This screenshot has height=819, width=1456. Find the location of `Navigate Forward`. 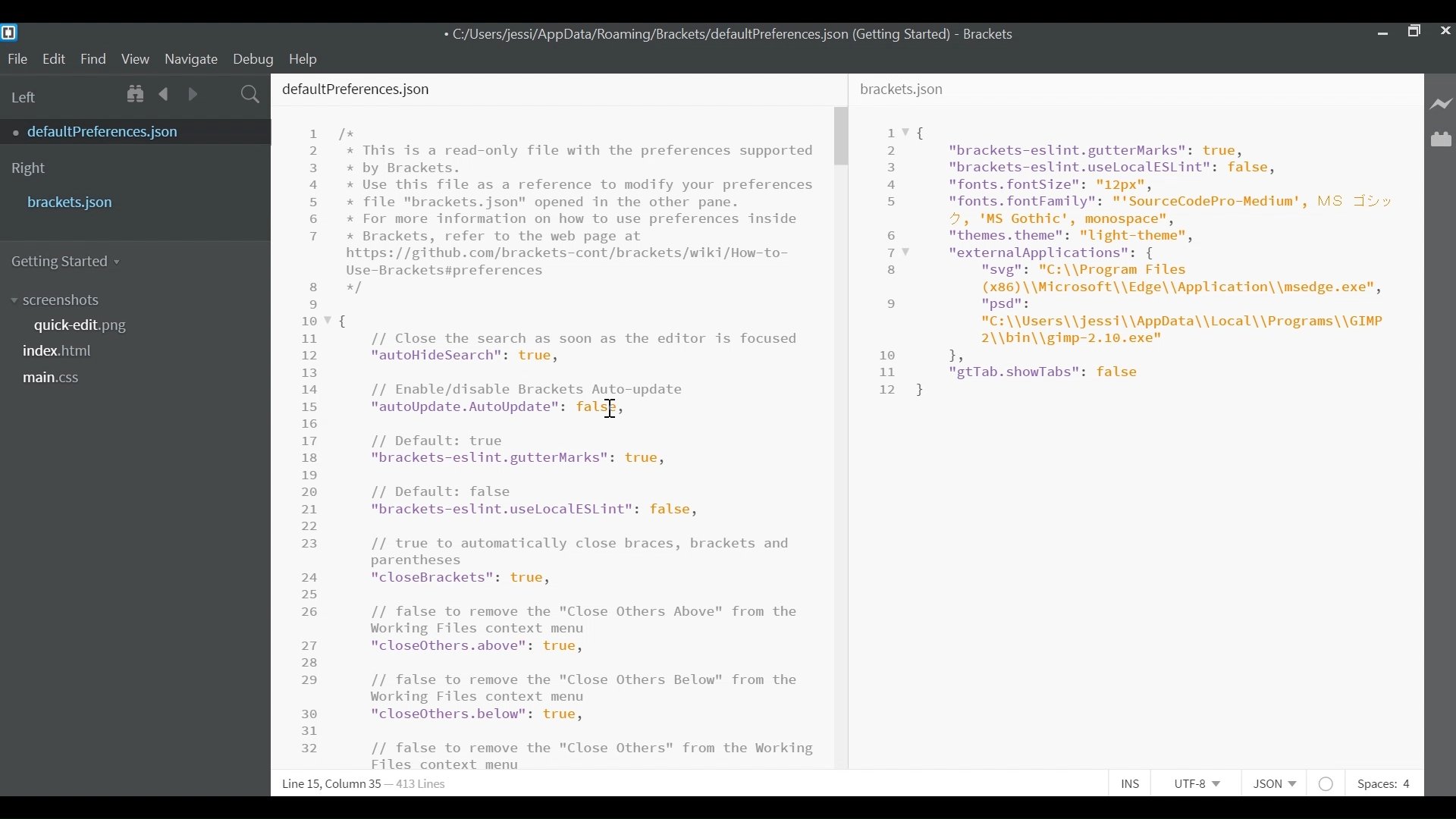

Navigate Forward is located at coordinates (193, 92).